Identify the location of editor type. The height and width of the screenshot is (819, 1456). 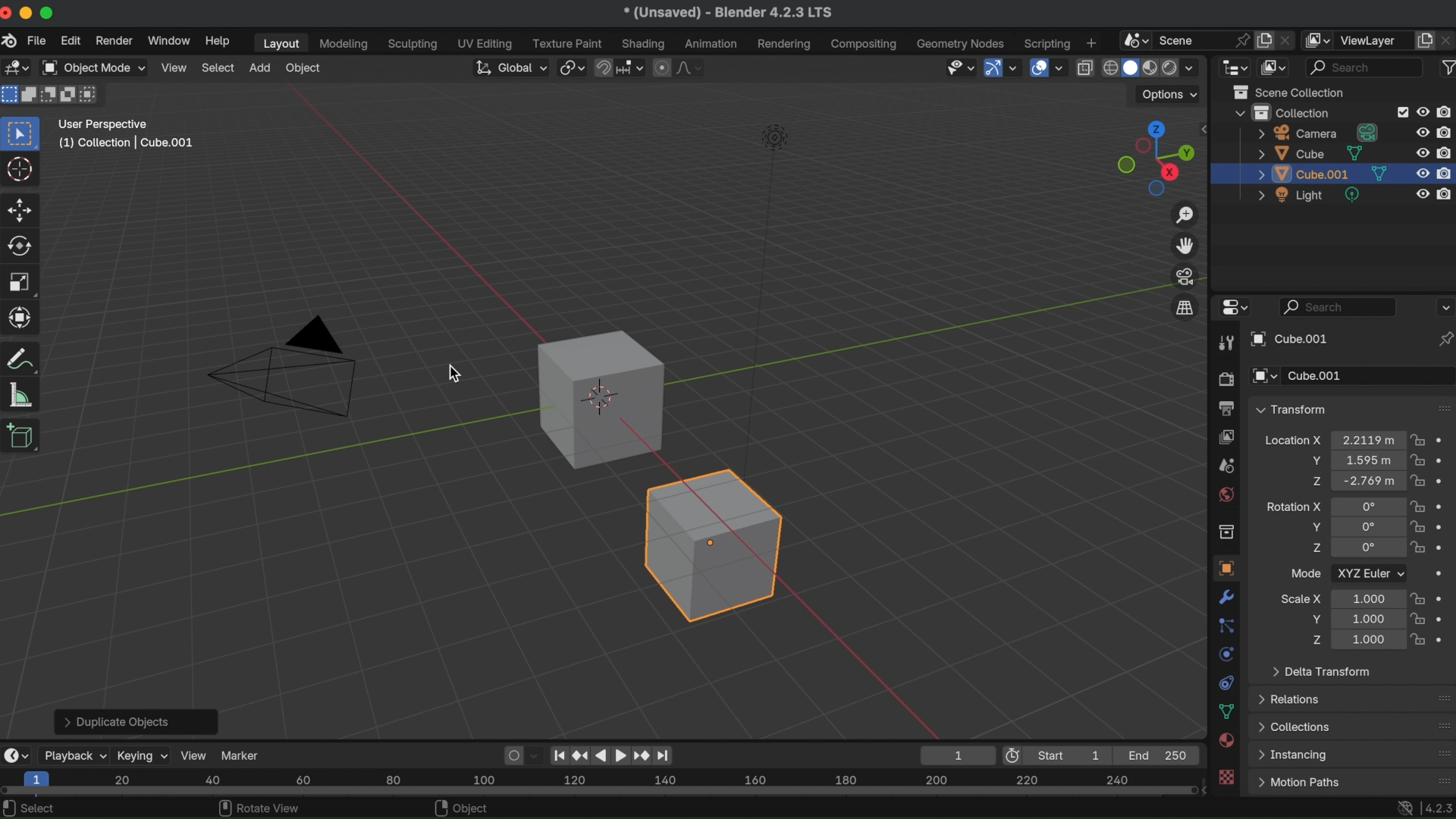
(15, 755).